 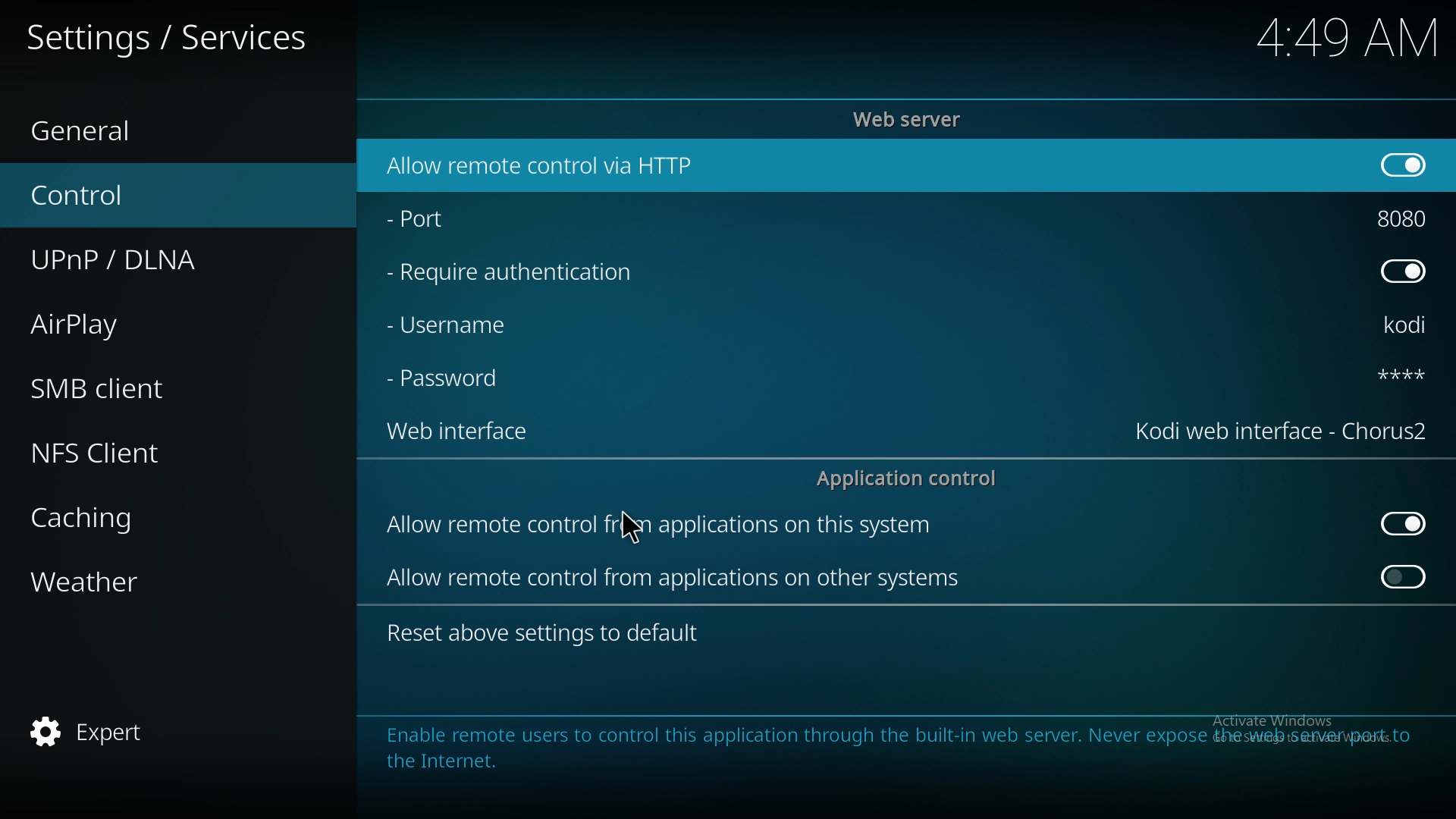 I want to click on web server, so click(x=915, y=118).